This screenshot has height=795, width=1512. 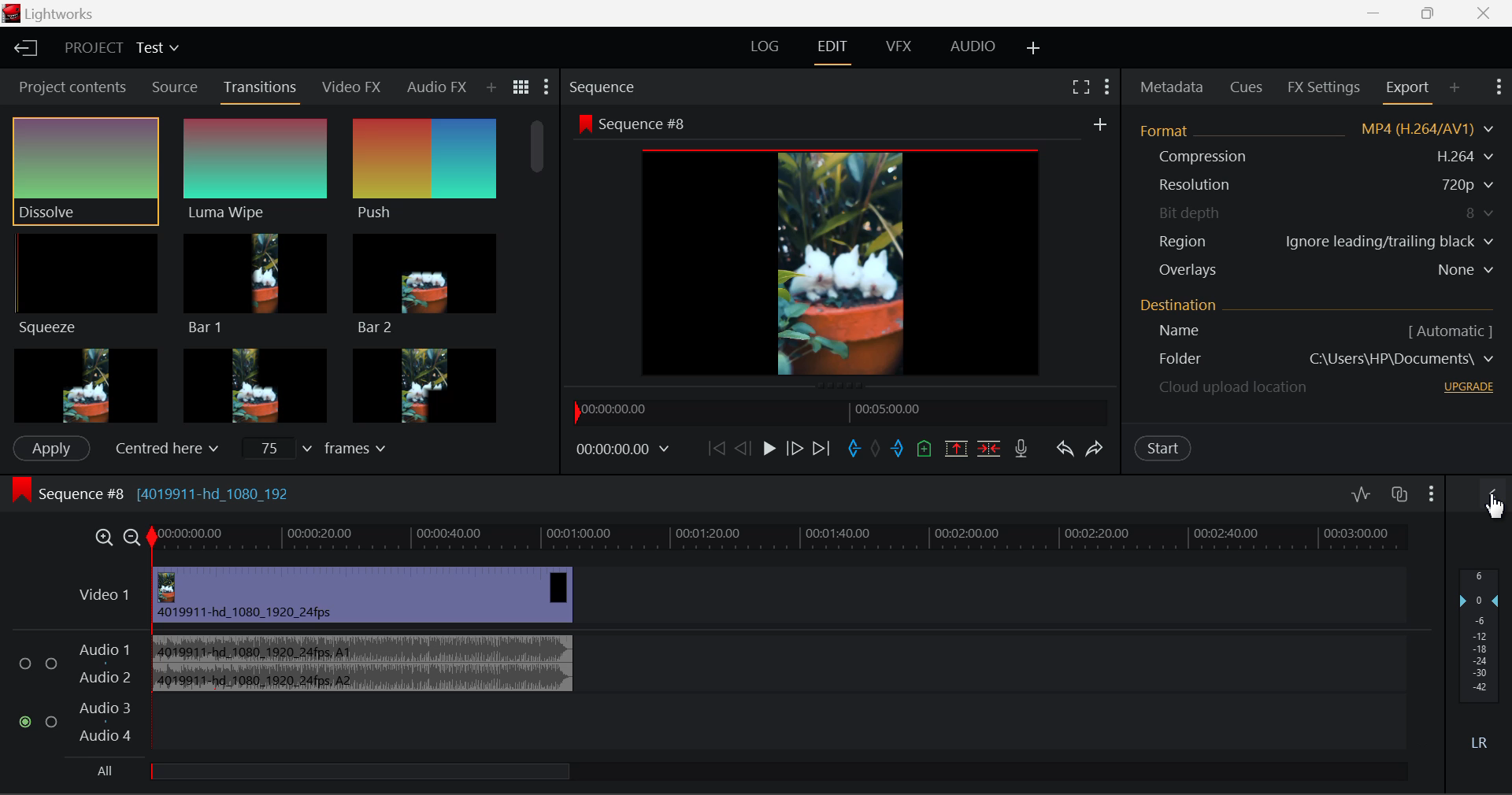 I want to click on cloud upload location - upgrade, so click(x=1315, y=386).